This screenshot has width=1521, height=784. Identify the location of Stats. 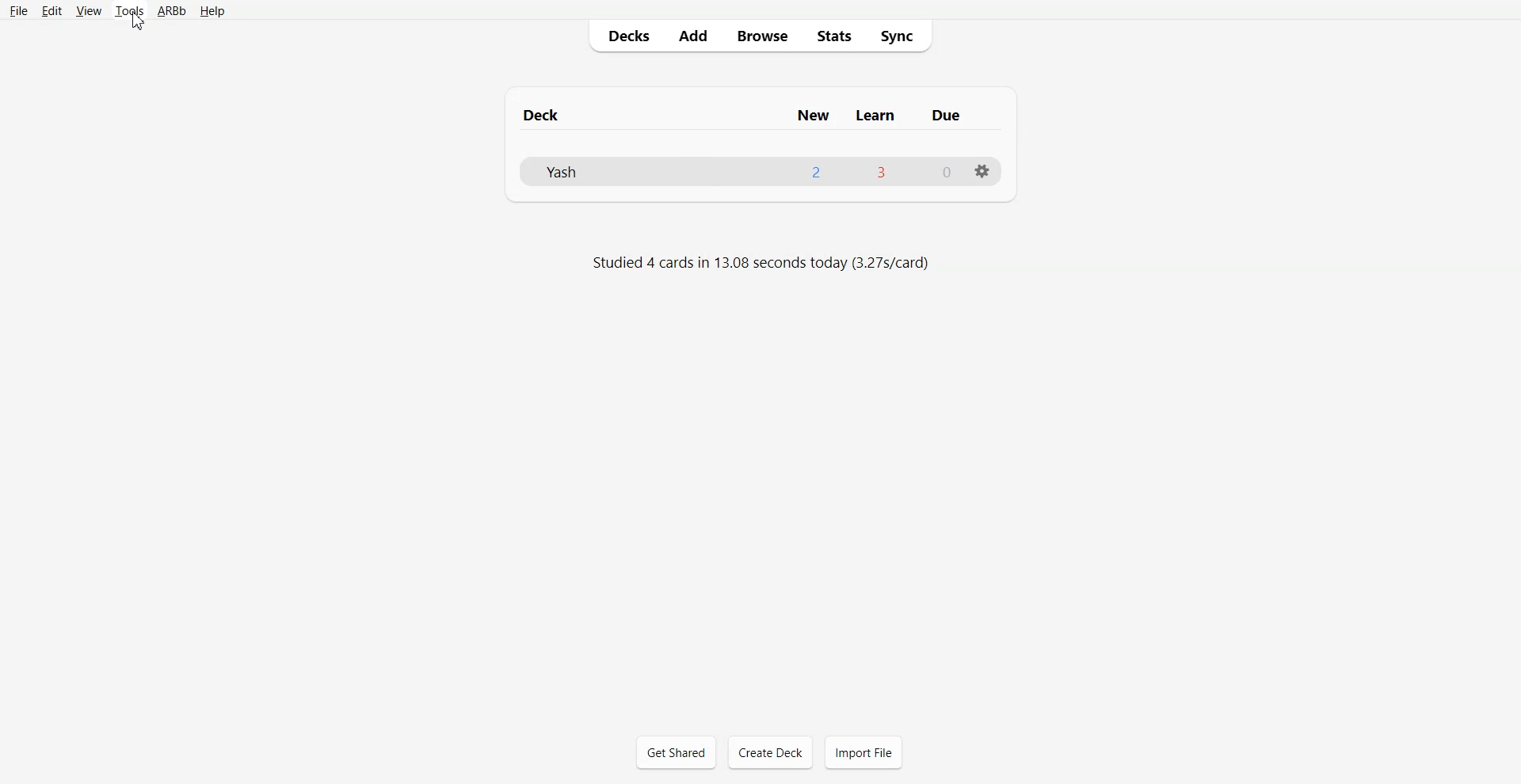
(833, 35).